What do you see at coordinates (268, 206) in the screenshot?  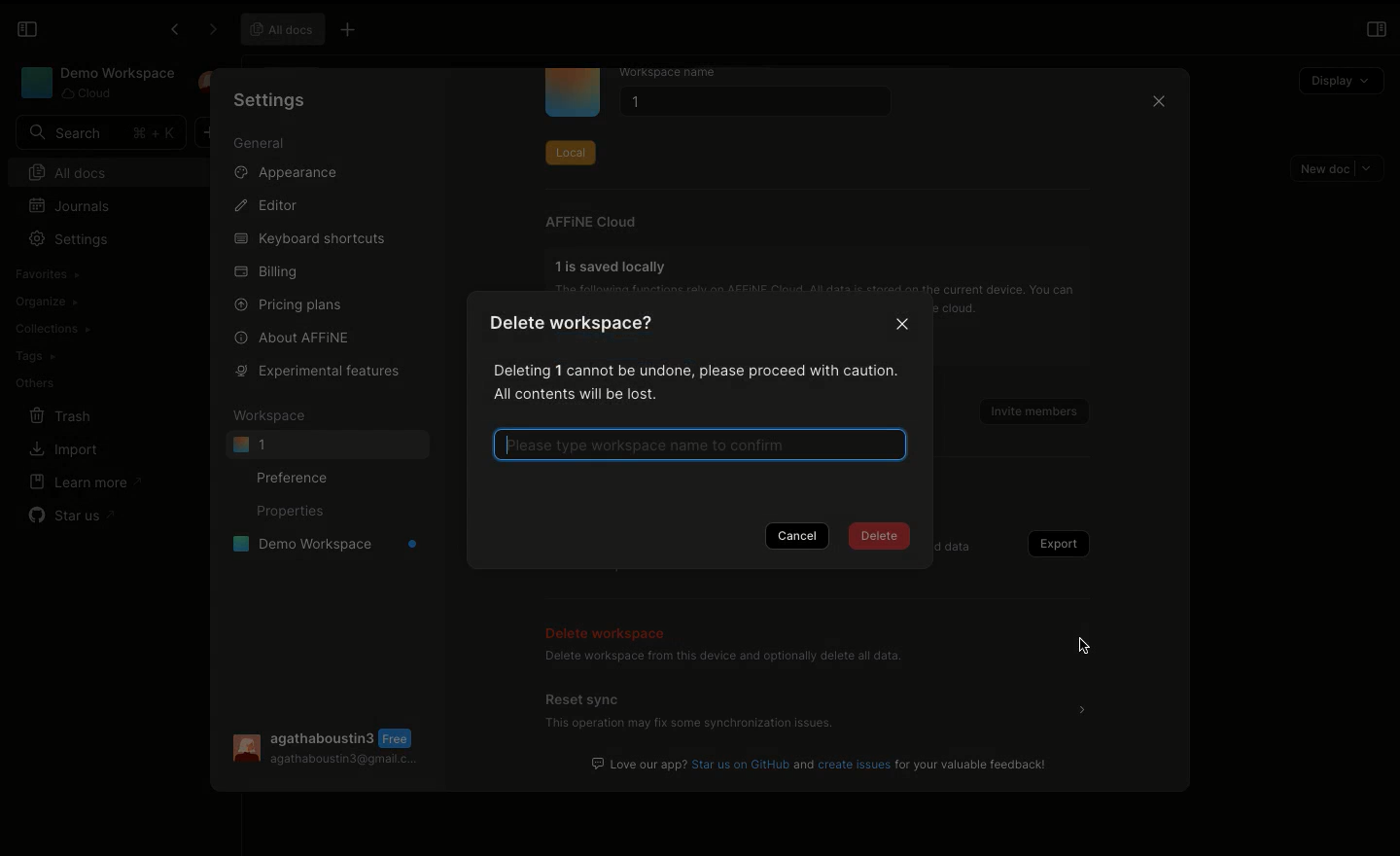 I see `Editor` at bounding box center [268, 206].